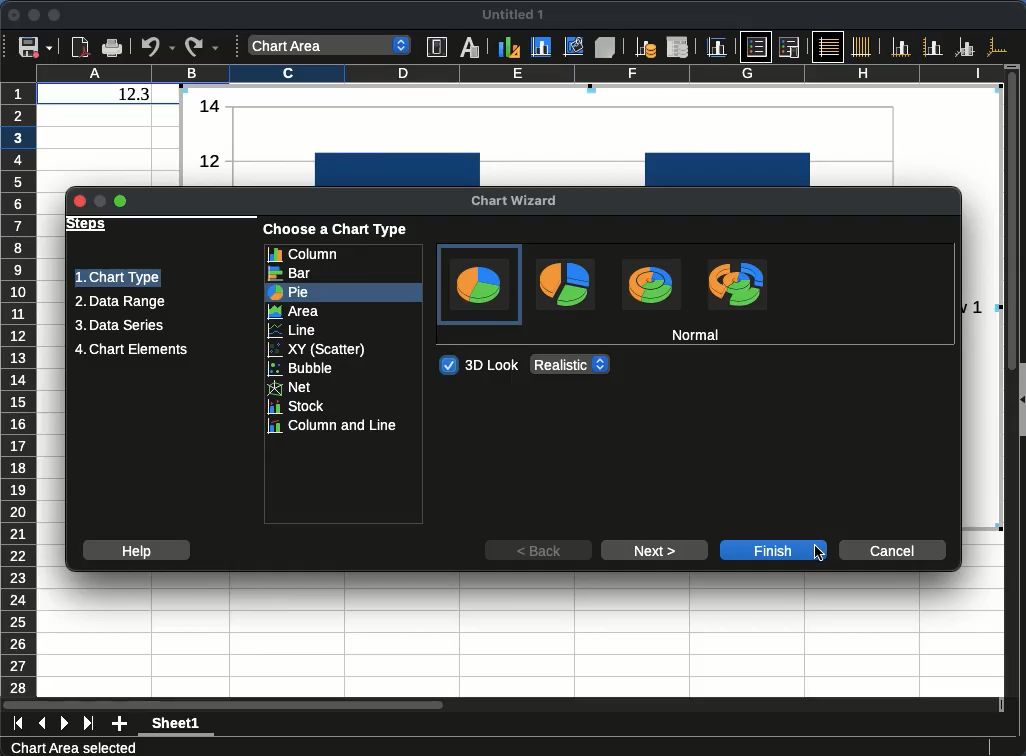 The width and height of the screenshot is (1026, 756). What do you see at coordinates (1023, 400) in the screenshot?
I see `Collapse/Expand` at bounding box center [1023, 400].